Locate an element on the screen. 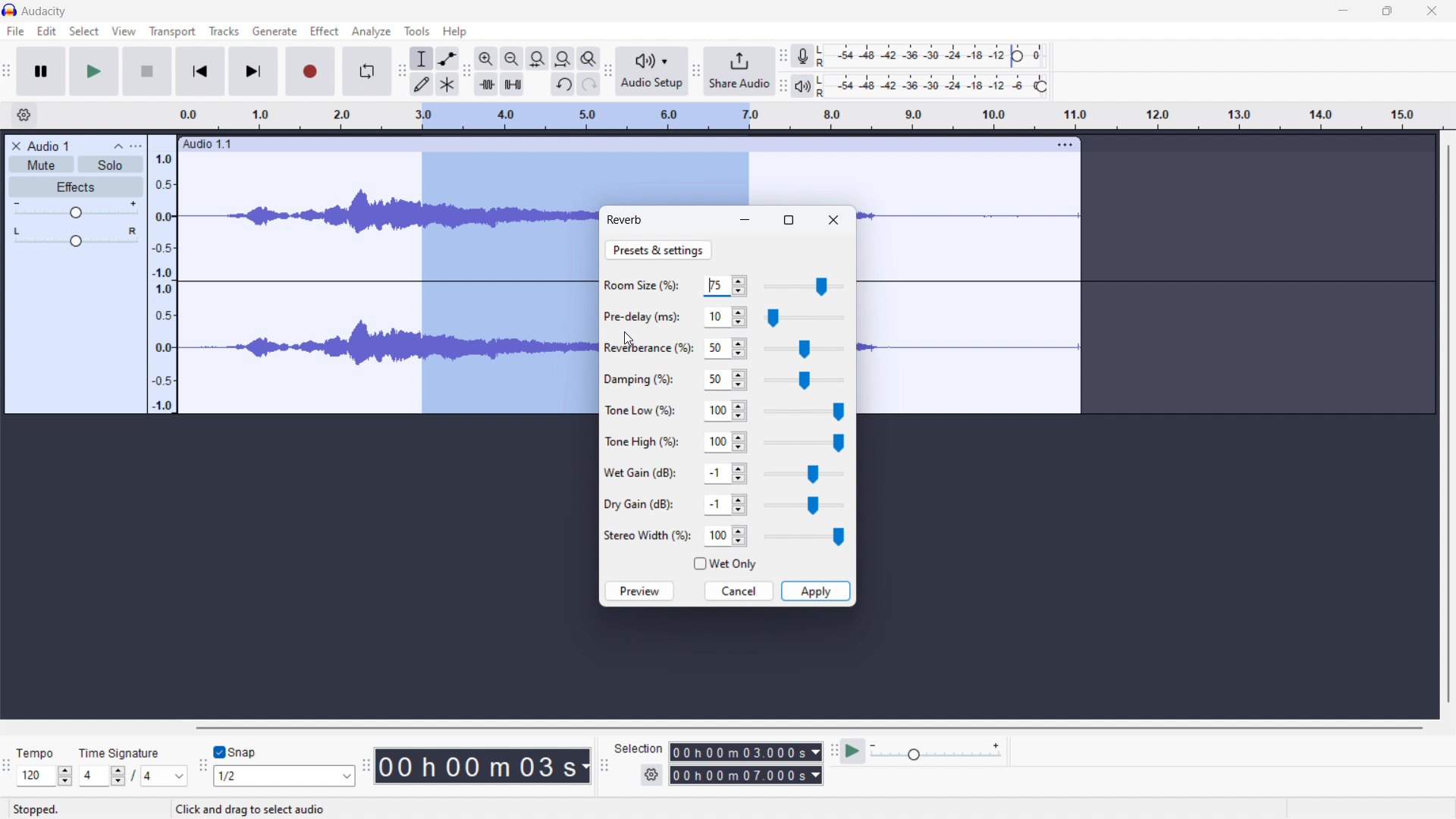 The height and width of the screenshot is (819, 1456). 100 is located at coordinates (726, 411).